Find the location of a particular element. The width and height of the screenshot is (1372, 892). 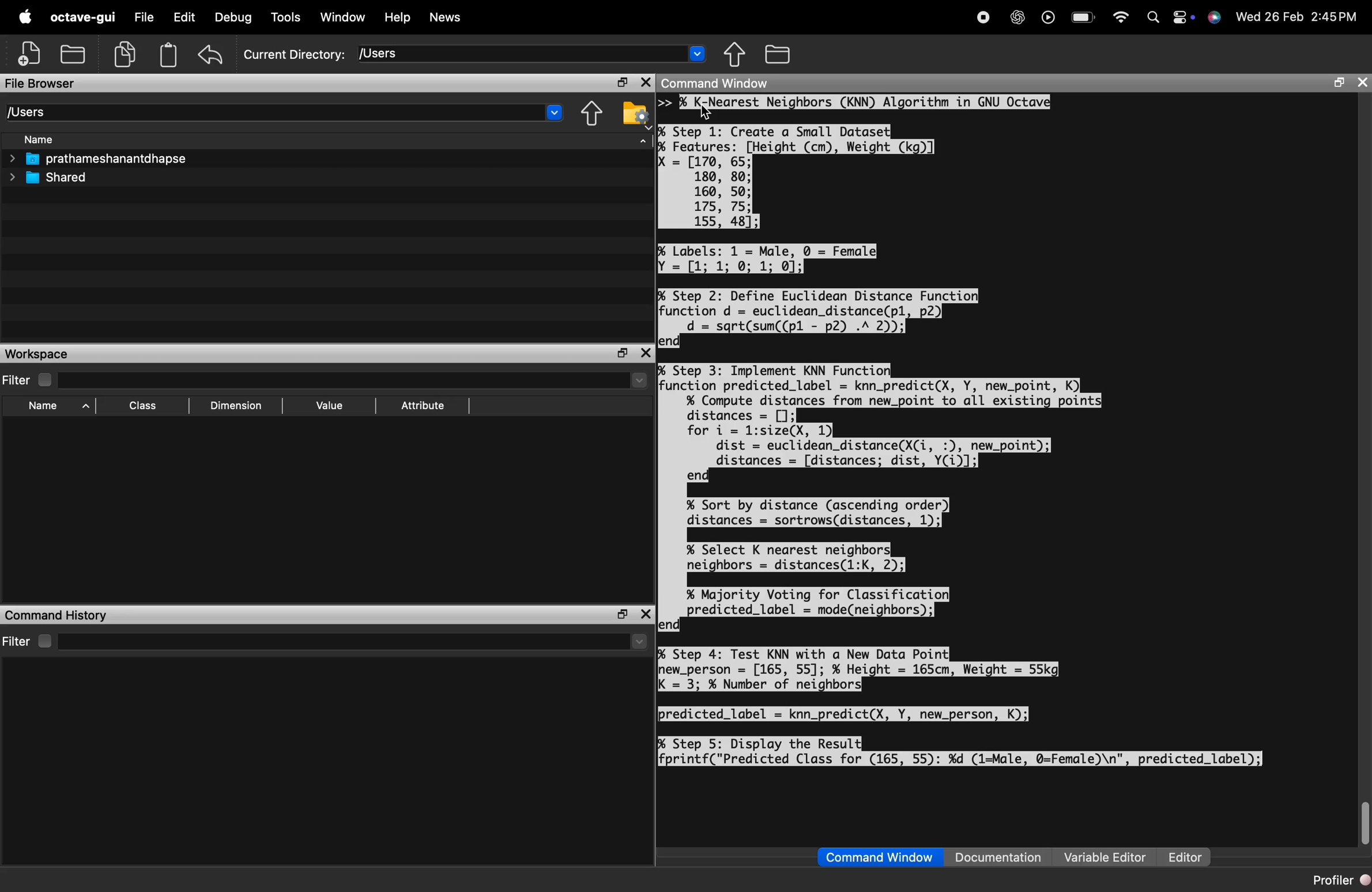

prathameshanantdhapse is located at coordinates (108, 160).